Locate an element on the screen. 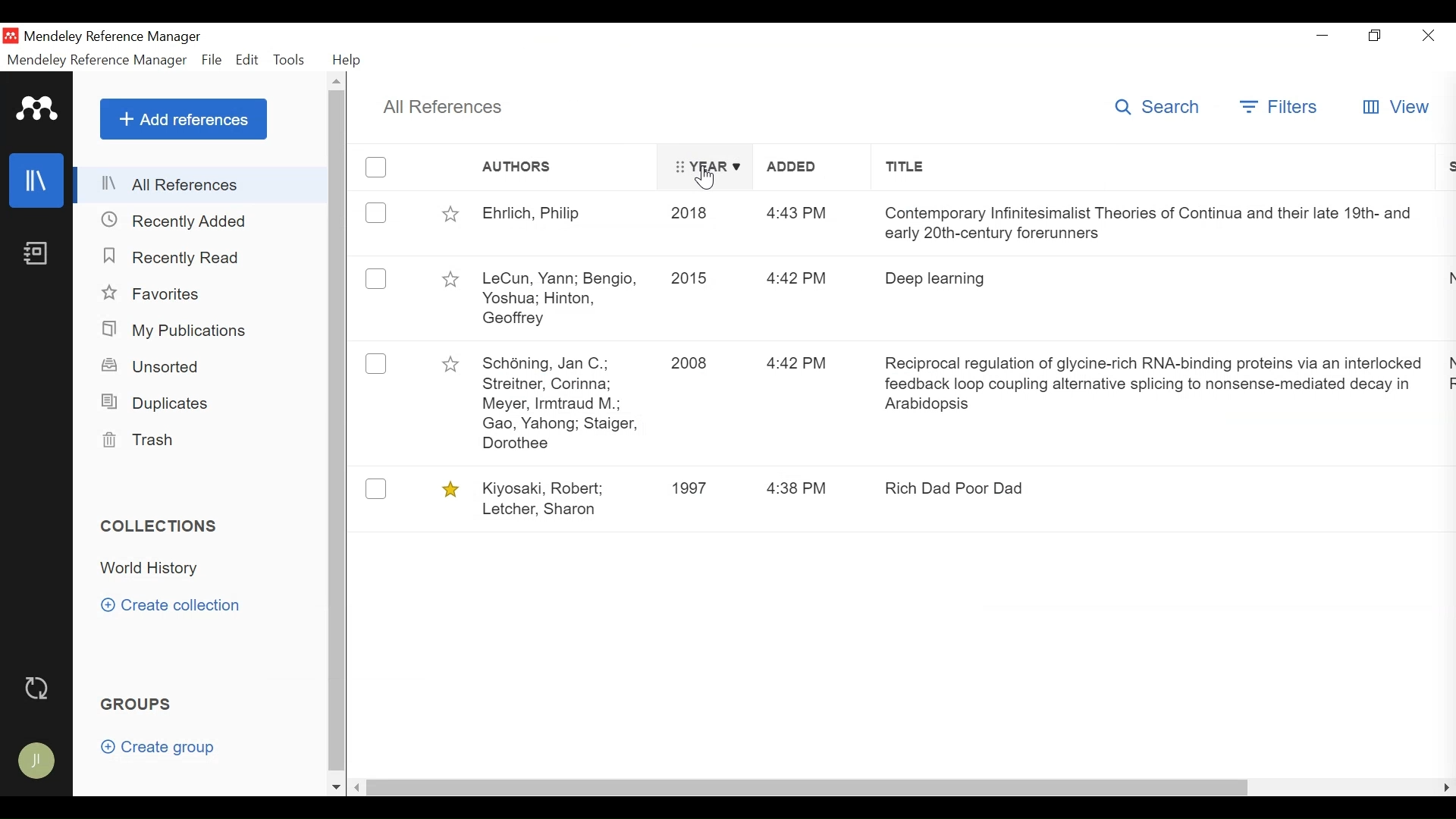 This screenshot has width=1456, height=819. Added is located at coordinates (790, 168).